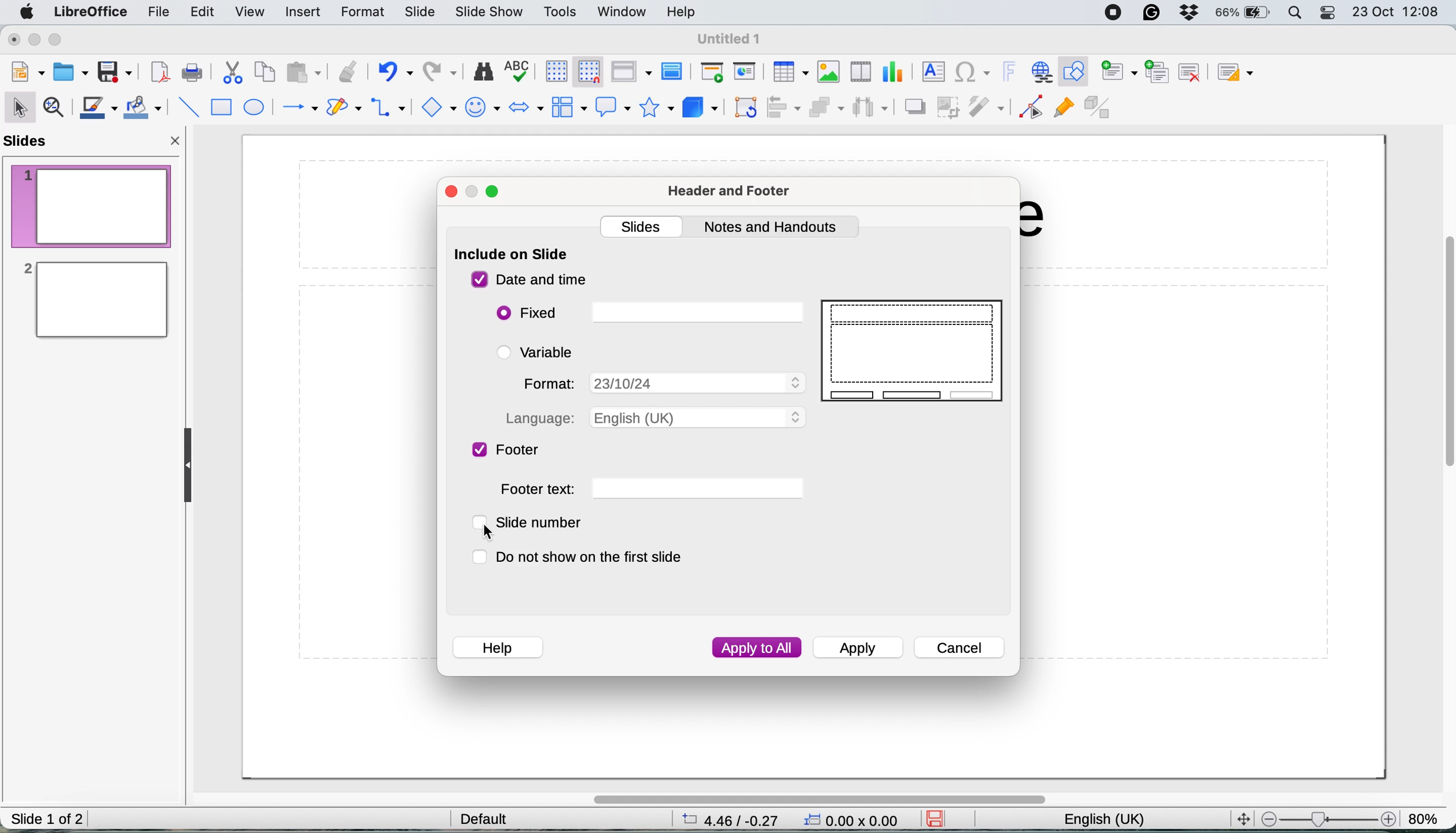  What do you see at coordinates (1425, 814) in the screenshot?
I see `zoom factor` at bounding box center [1425, 814].